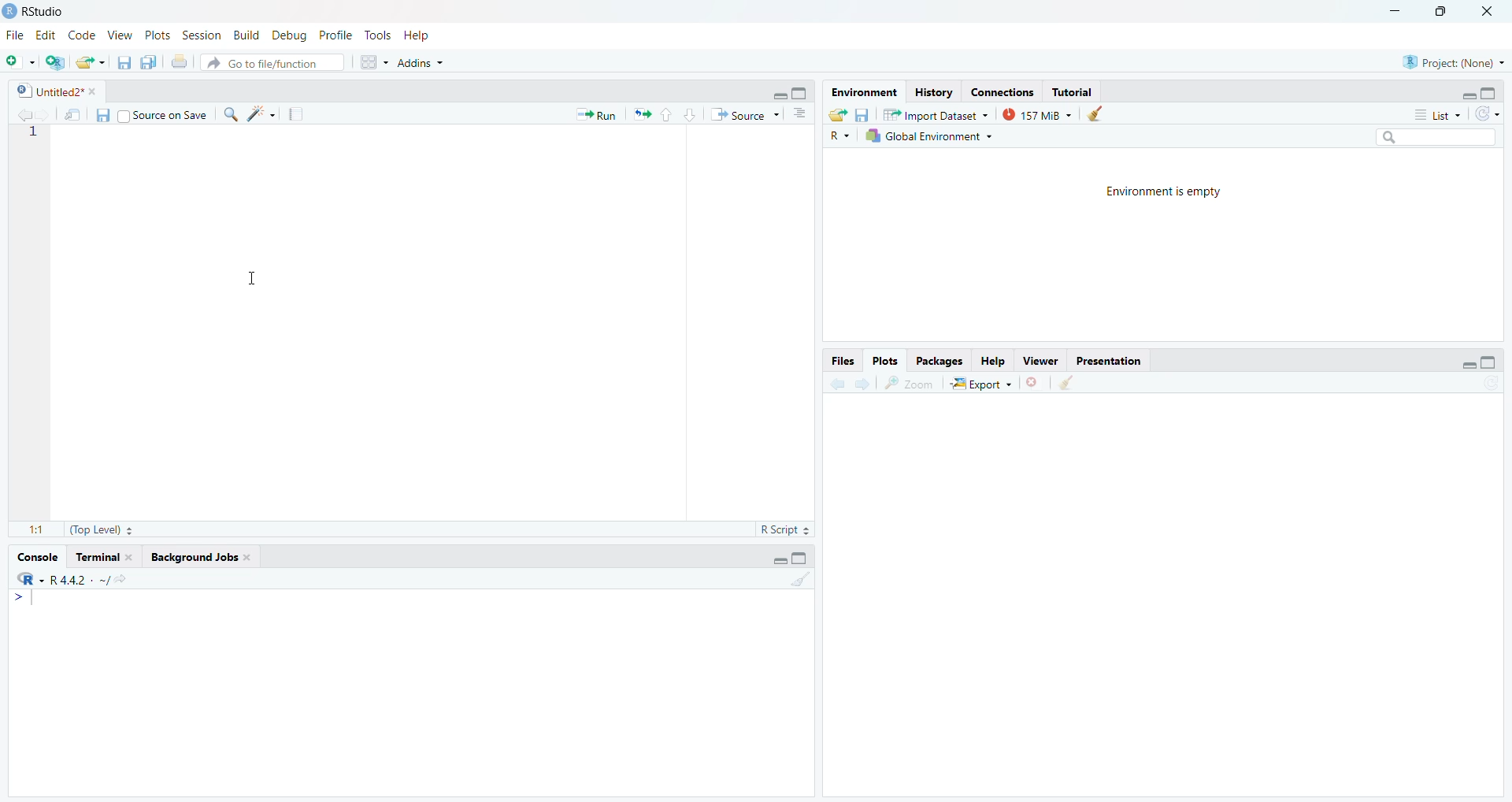 This screenshot has height=802, width=1512. Describe the element at coordinates (87, 64) in the screenshot. I see `open an existing file` at that location.